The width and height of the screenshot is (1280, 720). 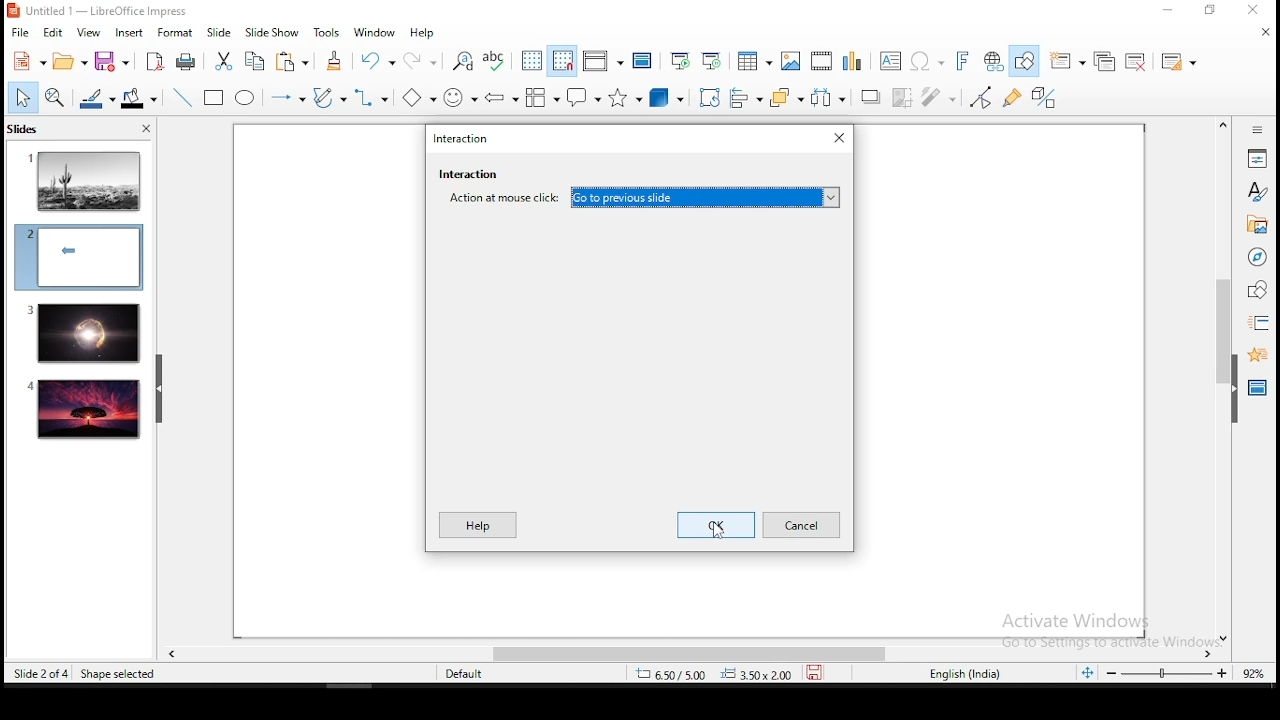 I want to click on tools, so click(x=328, y=33).